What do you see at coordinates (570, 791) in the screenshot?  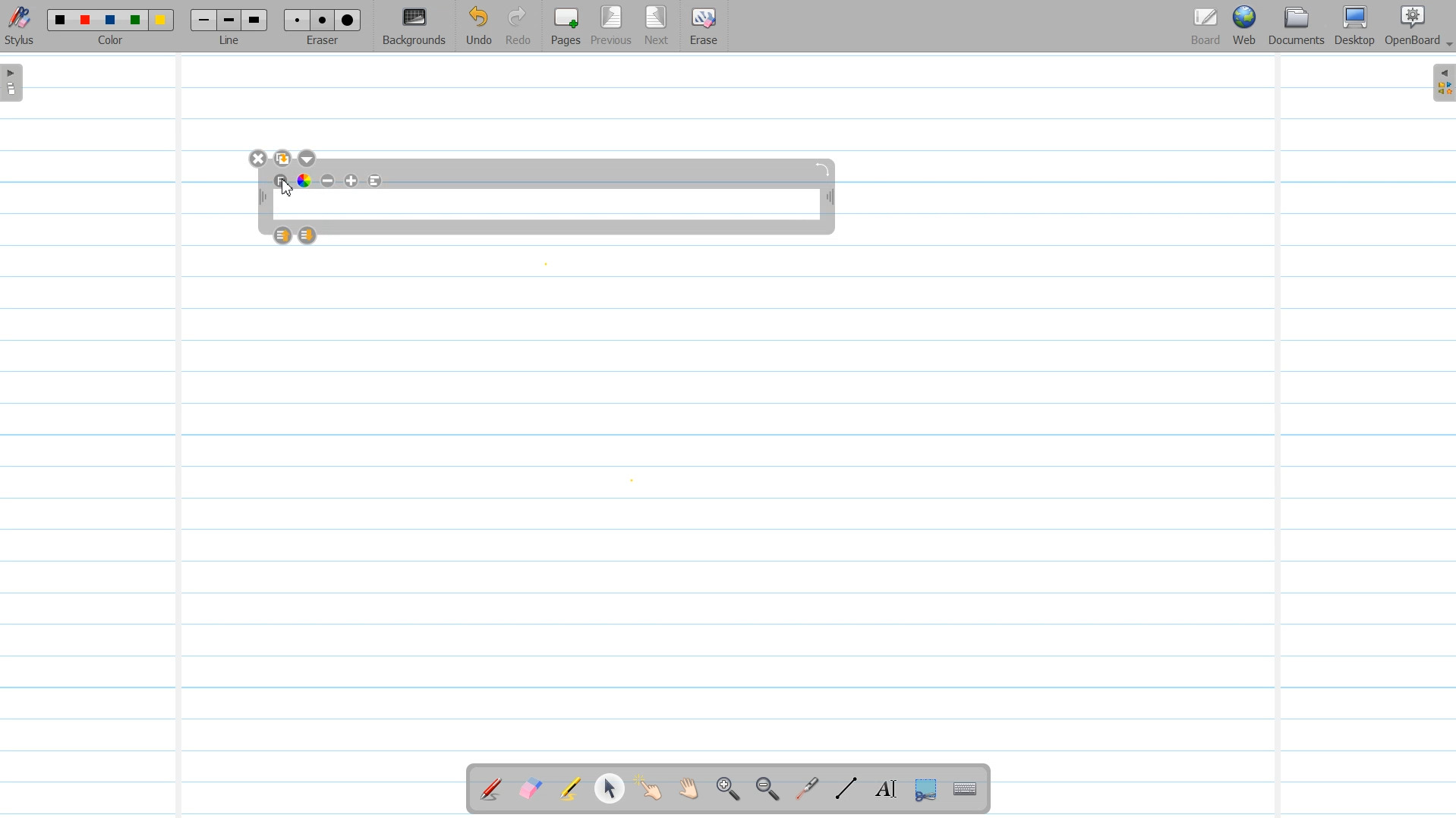 I see `Highlight` at bounding box center [570, 791].